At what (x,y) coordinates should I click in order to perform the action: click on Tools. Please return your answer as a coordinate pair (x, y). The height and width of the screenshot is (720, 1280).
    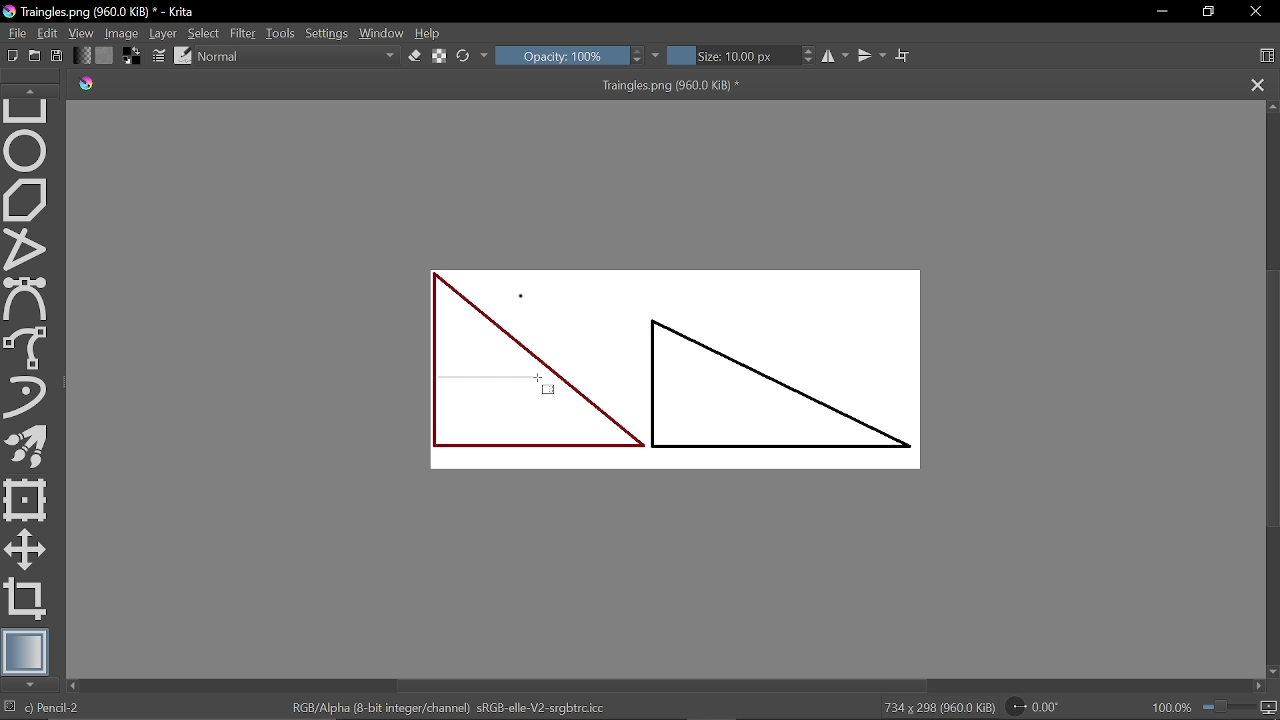
    Looking at the image, I should click on (282, 33).